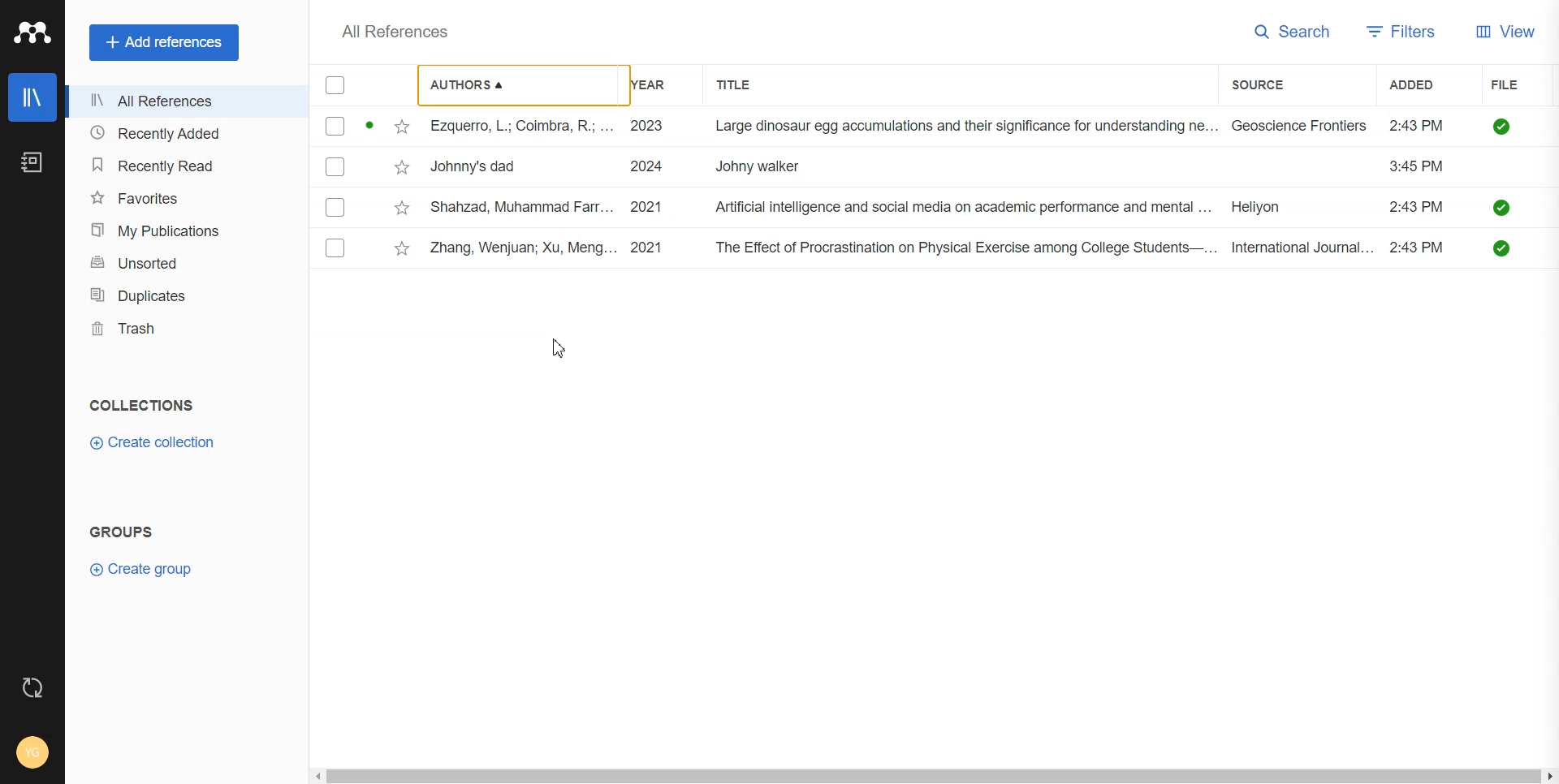 This screenshot has width=1559, height=784. What do you see at coordinates (32, 97) in the screenshot?
I see `Library` at bounding box center [32, 97].